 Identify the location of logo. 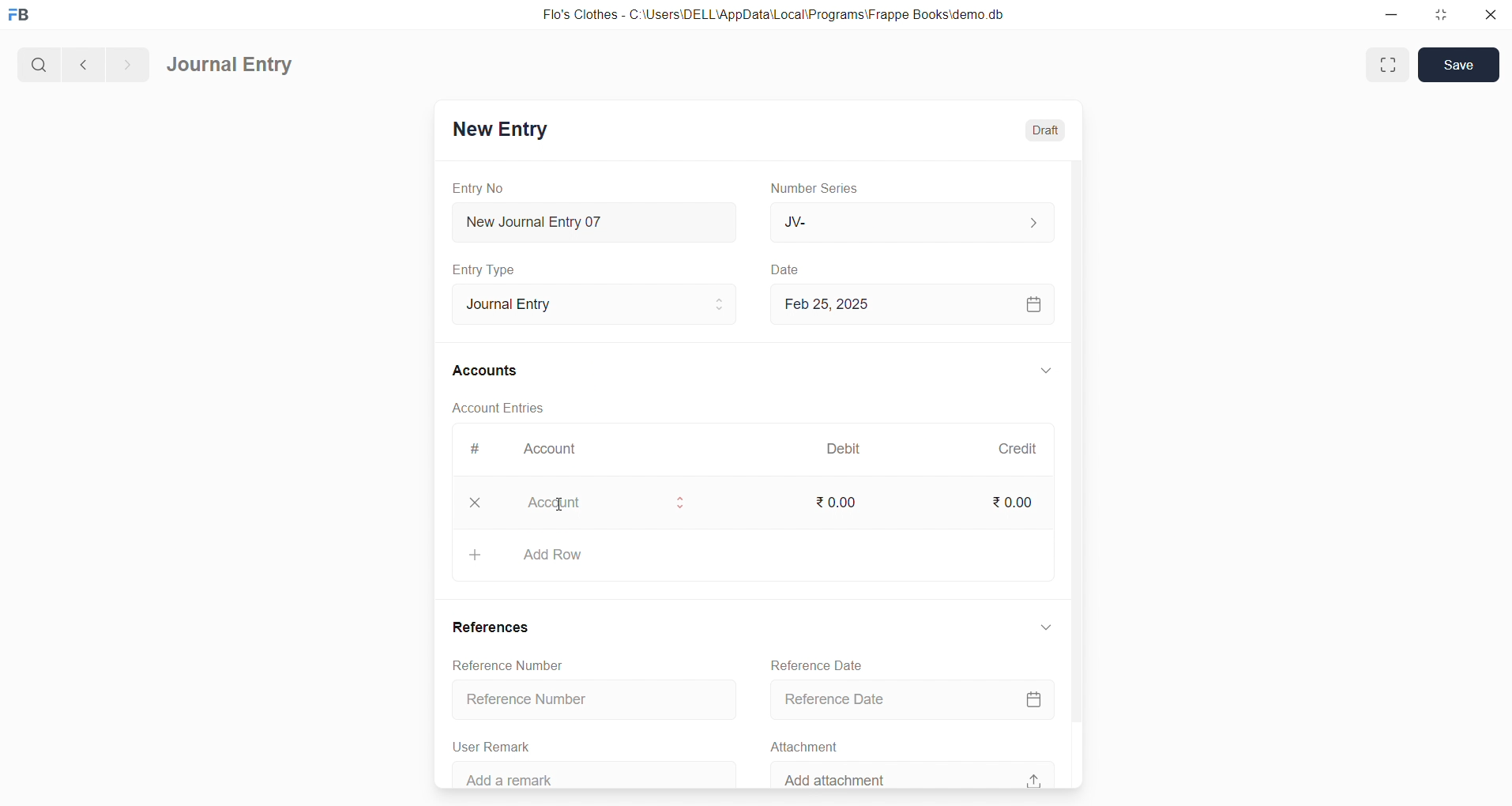
(23, 16).